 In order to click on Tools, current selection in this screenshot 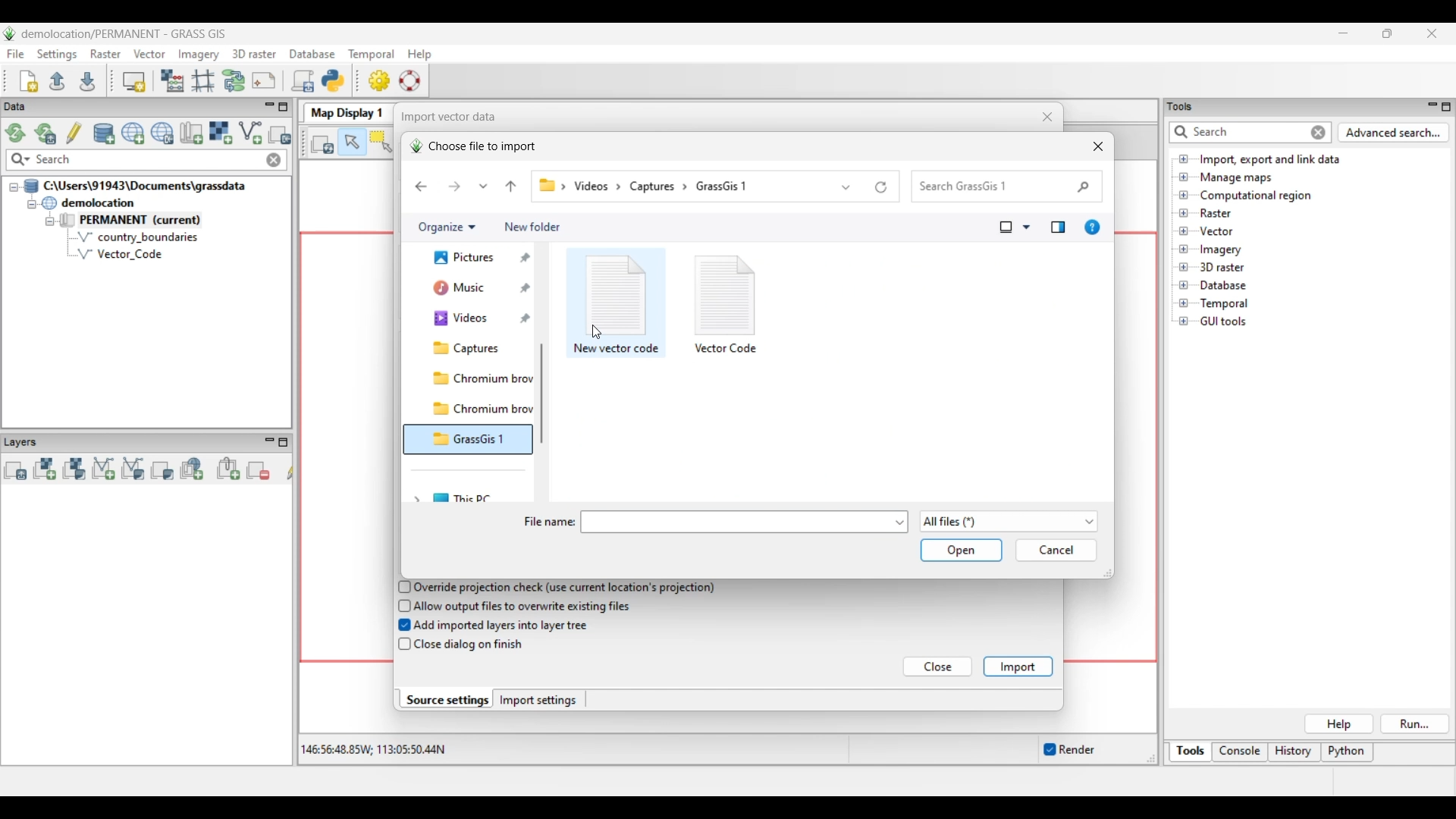, I will do `click(1191, 752)`.